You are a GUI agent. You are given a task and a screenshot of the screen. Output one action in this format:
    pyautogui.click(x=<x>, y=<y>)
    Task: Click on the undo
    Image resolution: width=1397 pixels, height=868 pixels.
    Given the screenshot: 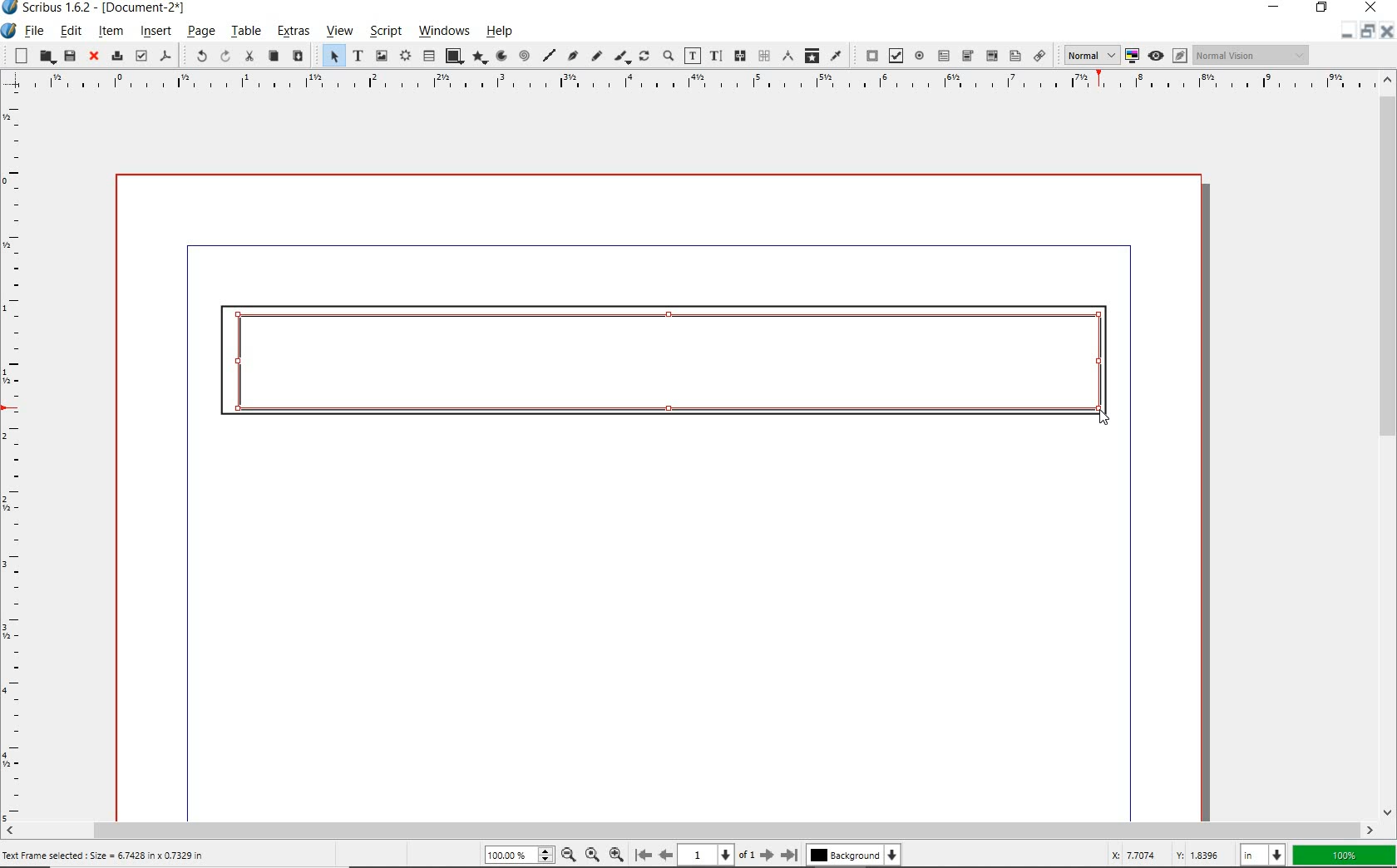 What is the action you would take?
    pyautogui.click(x=196, y=57)
    